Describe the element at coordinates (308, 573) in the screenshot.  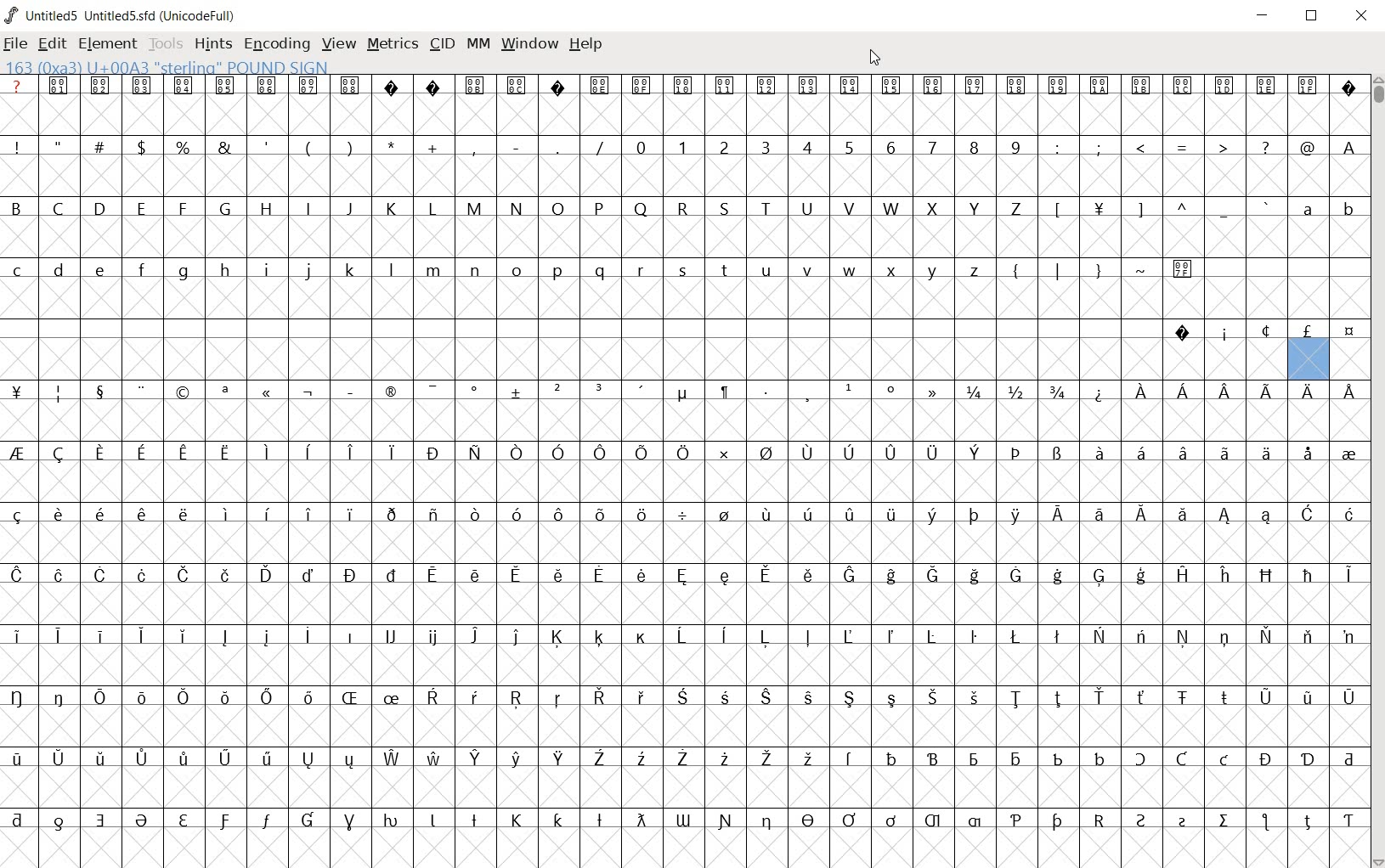
I see `Symbol` at that location.